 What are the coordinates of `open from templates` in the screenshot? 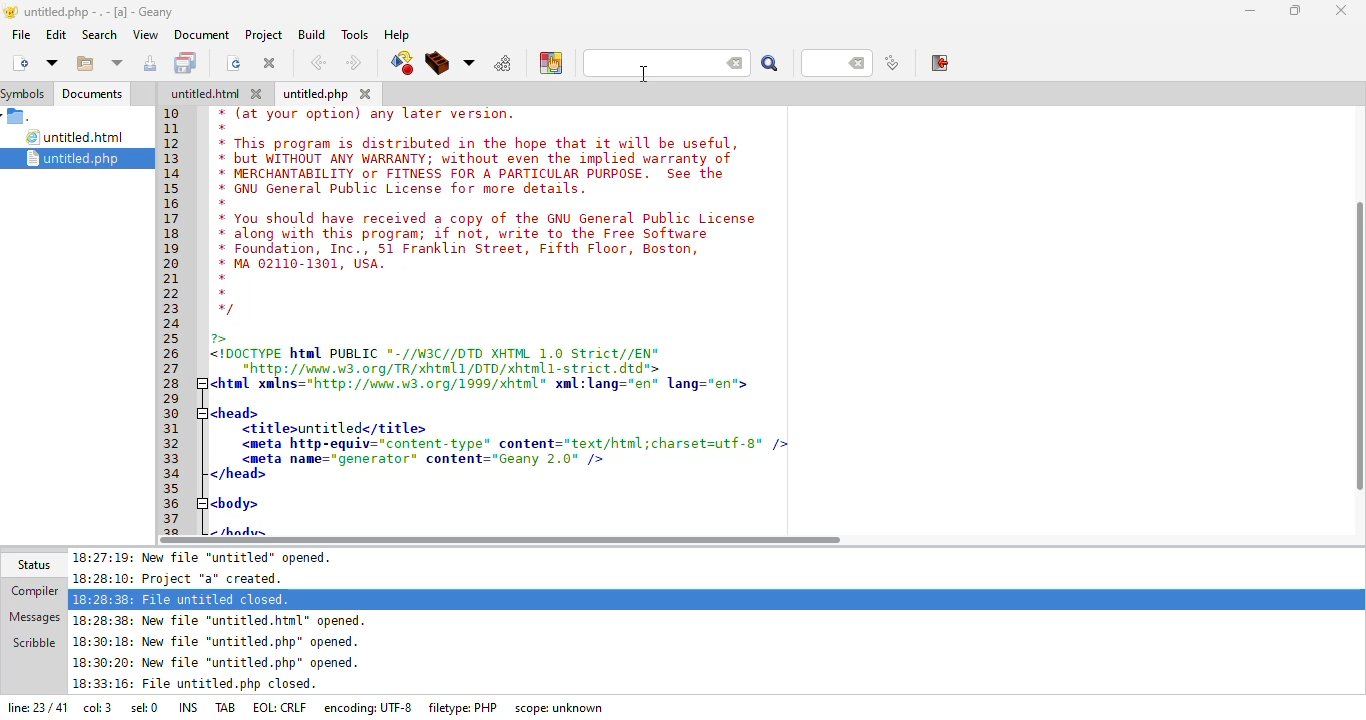 It's located at (52, 62).